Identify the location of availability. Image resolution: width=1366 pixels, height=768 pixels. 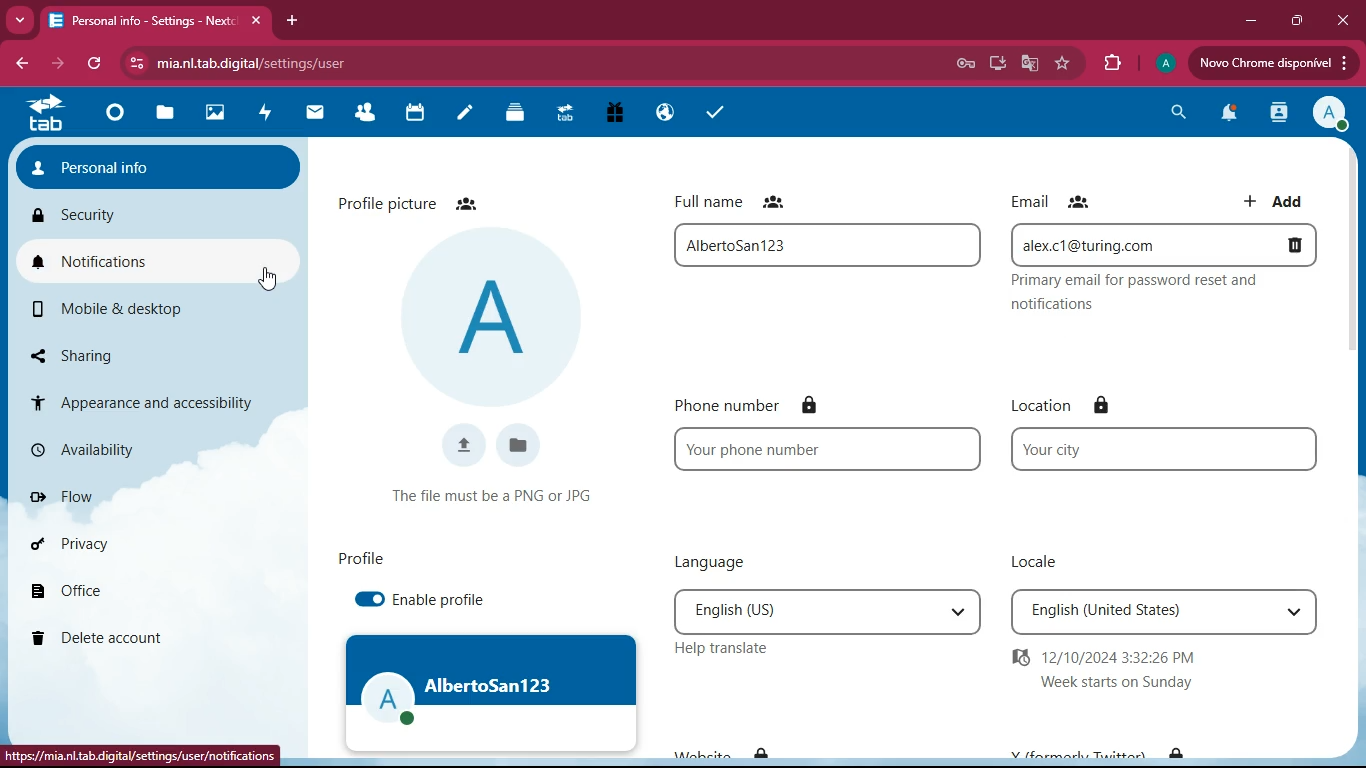
(143, 449).